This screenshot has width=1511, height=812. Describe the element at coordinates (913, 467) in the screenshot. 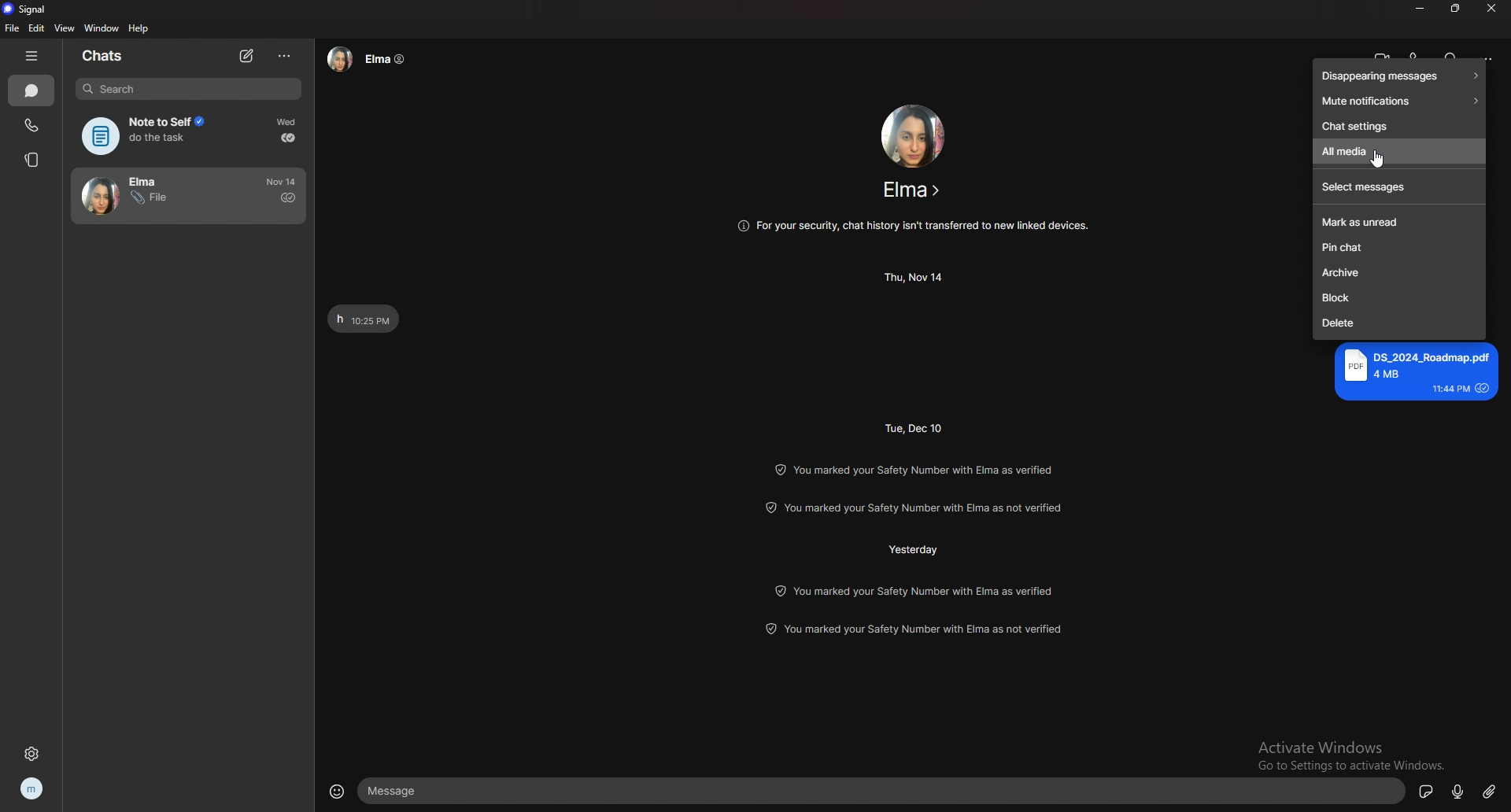

I see `info` at that location.